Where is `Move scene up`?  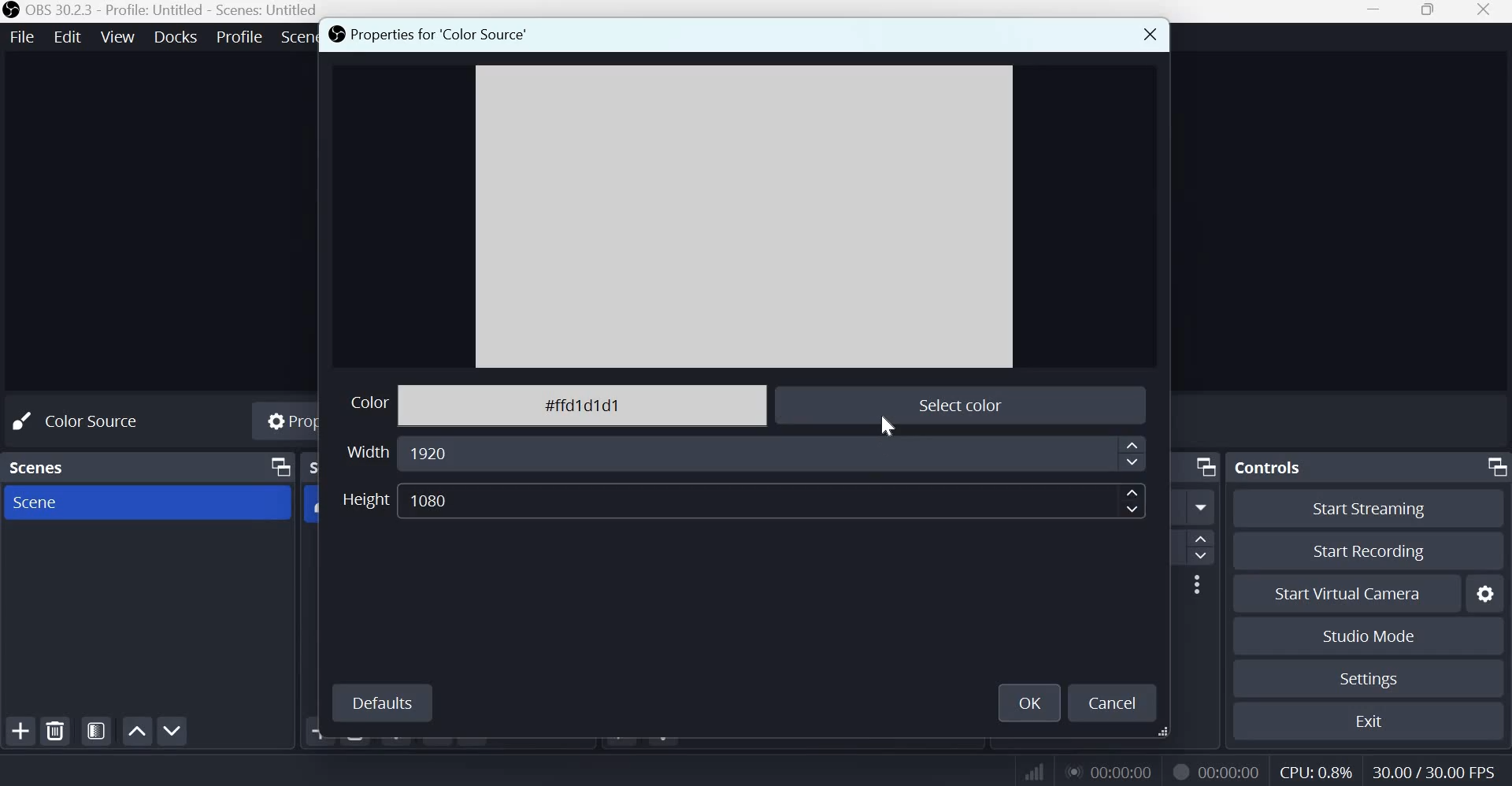 Move scene up is located at coordinates (136, 731).